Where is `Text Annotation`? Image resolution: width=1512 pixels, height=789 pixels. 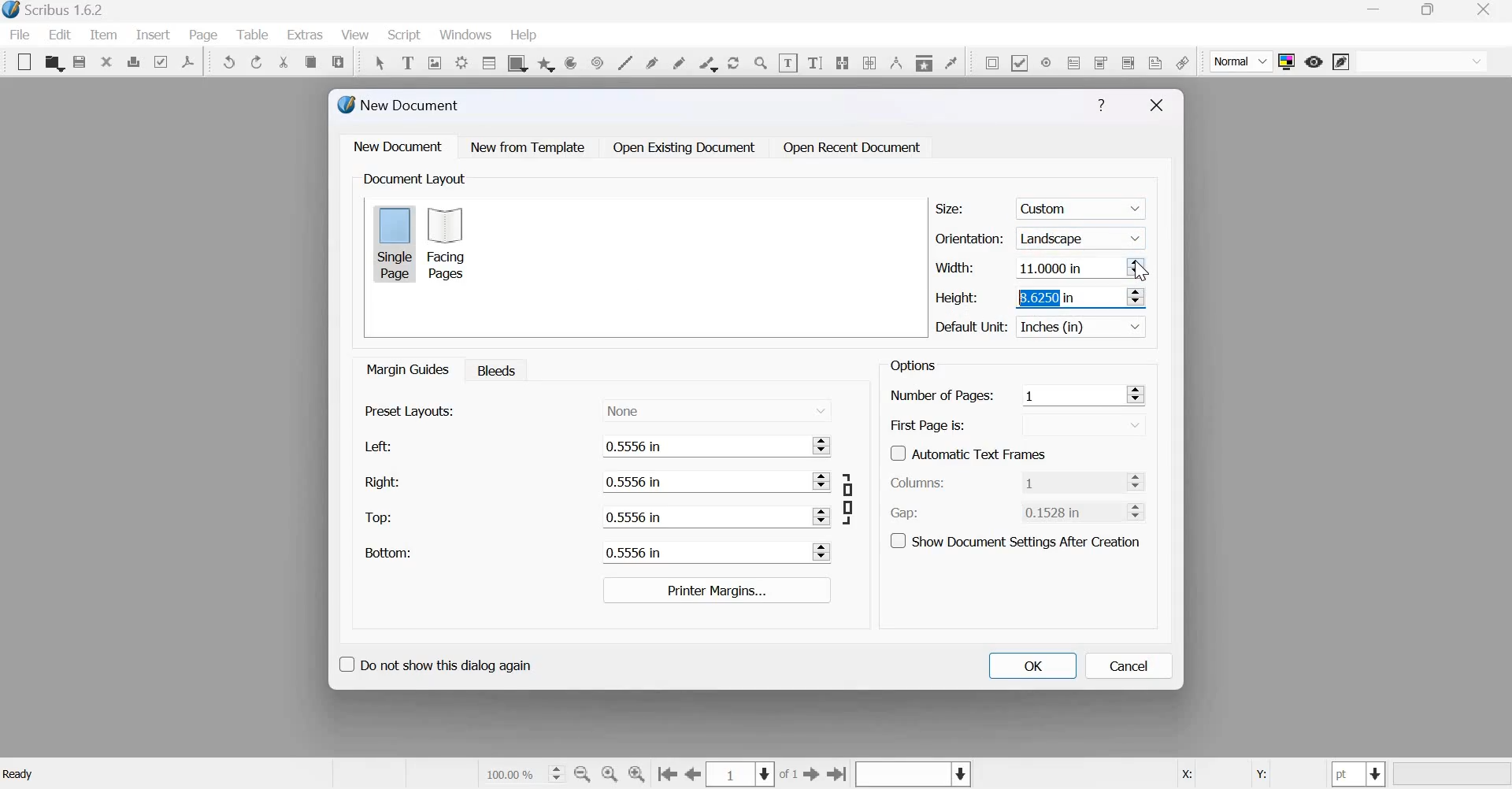
Text Annotation is located at coordinates (1155, 62).